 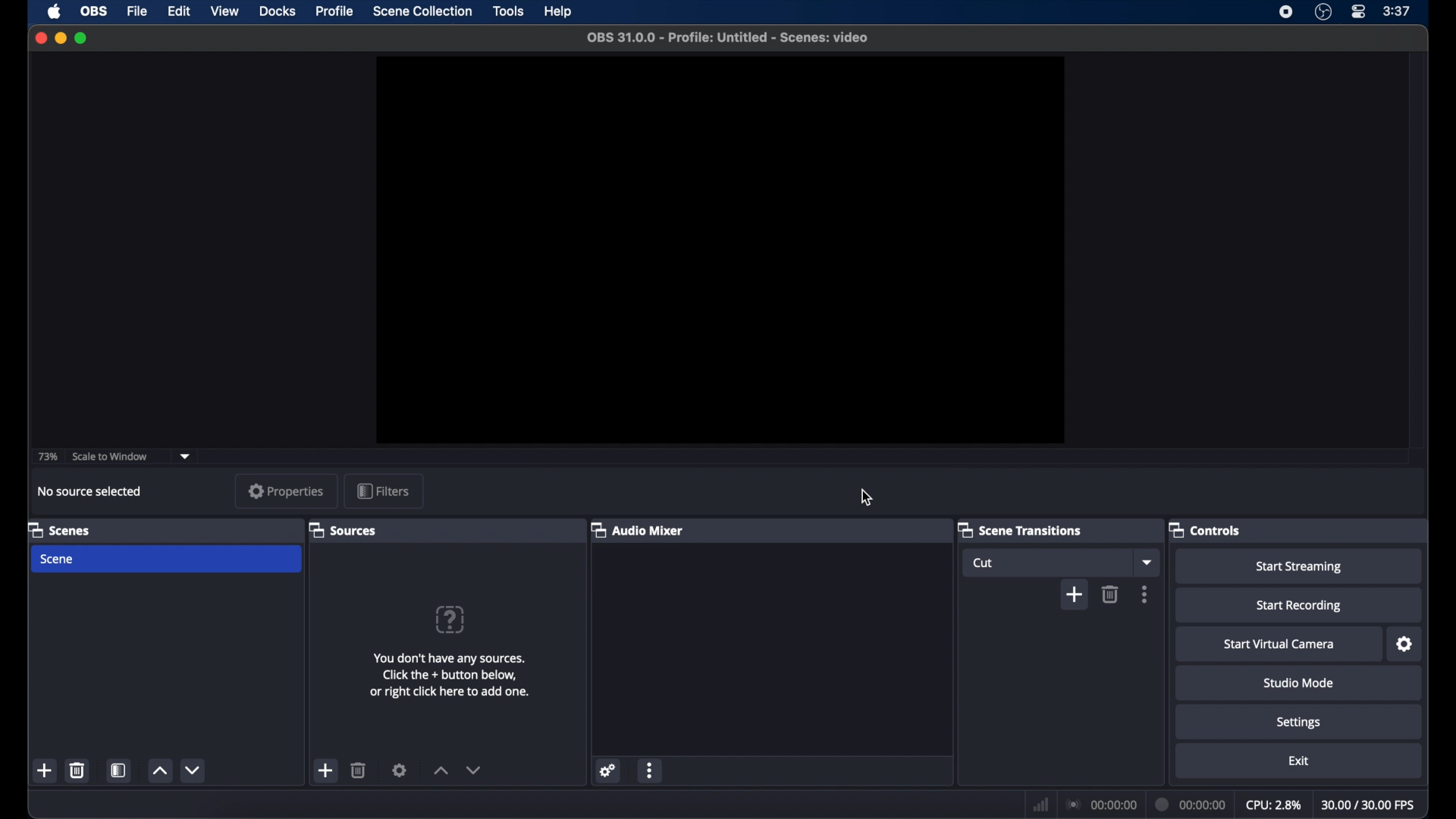 I want to click on properties, so click(x=287, y=491).